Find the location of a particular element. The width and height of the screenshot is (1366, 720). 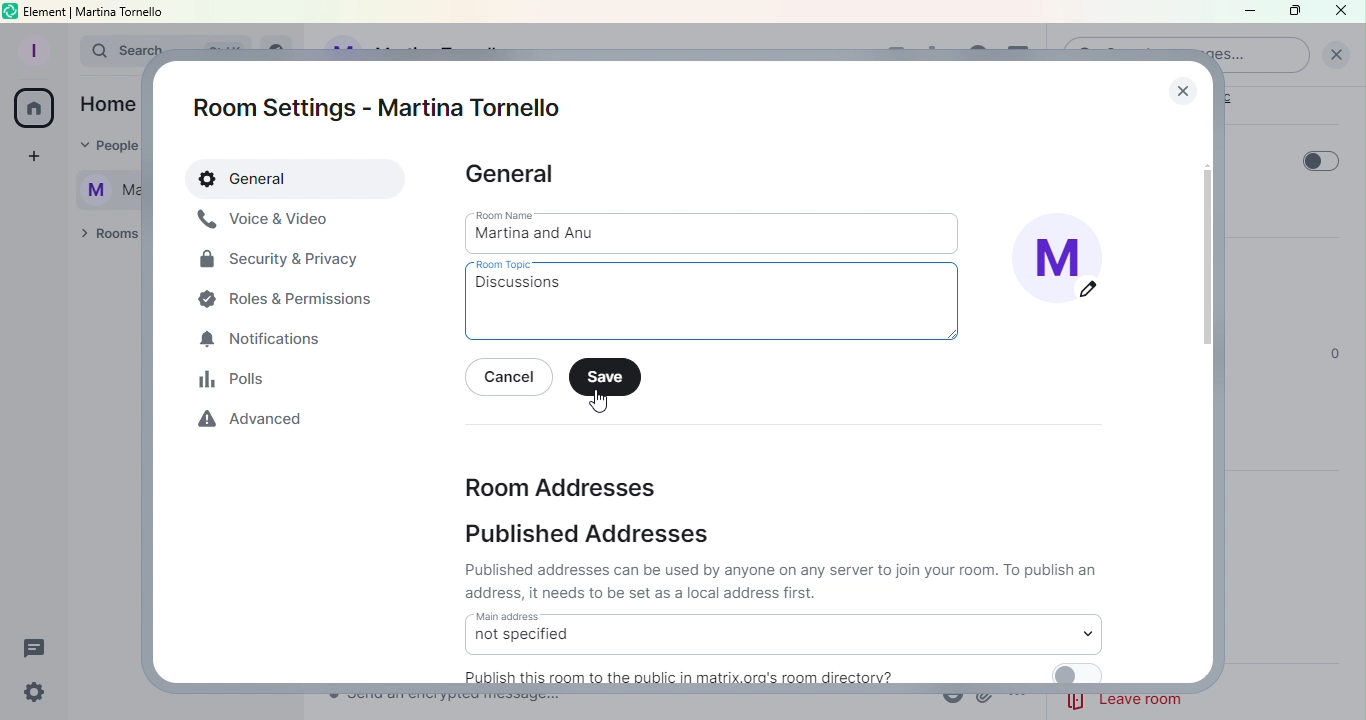

published addresses can be used by anyone on any server to join your room. To publish an adress, it needs to be set as local address first is located at coordinates (784, 581).